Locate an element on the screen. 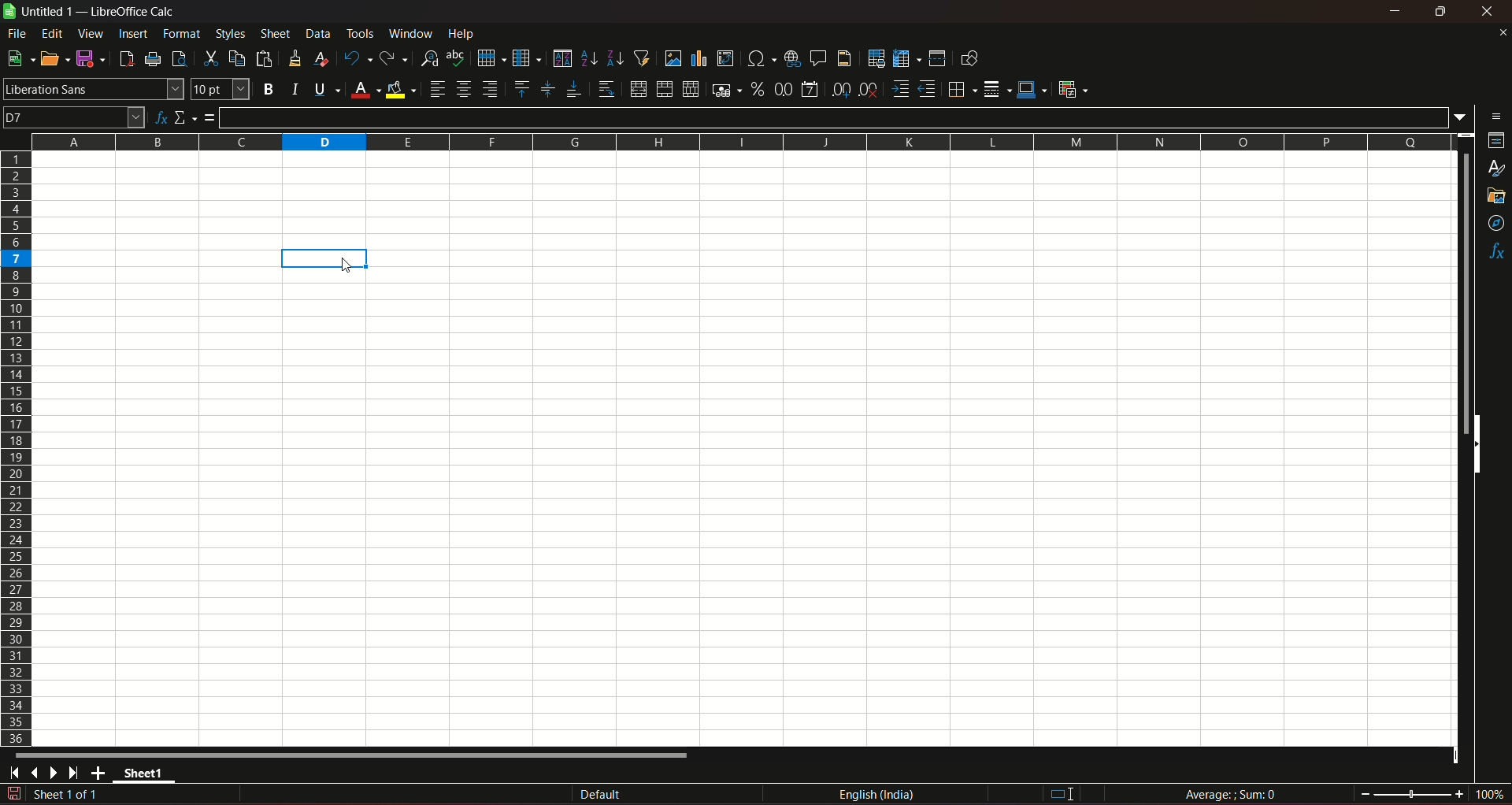  styles is located at coordinates (229, 33).